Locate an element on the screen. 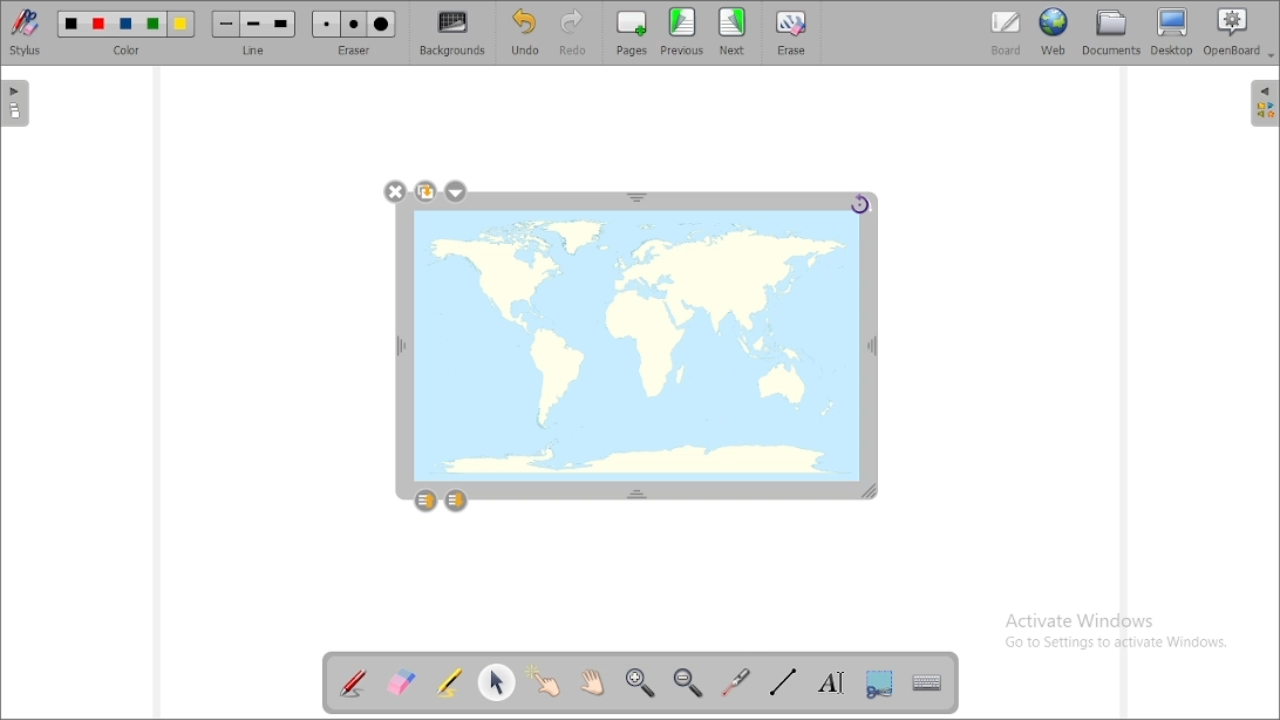 Image resolution: width=1280 pixels, height=720 pixels. interact with items is located at coordinates (543, 680).